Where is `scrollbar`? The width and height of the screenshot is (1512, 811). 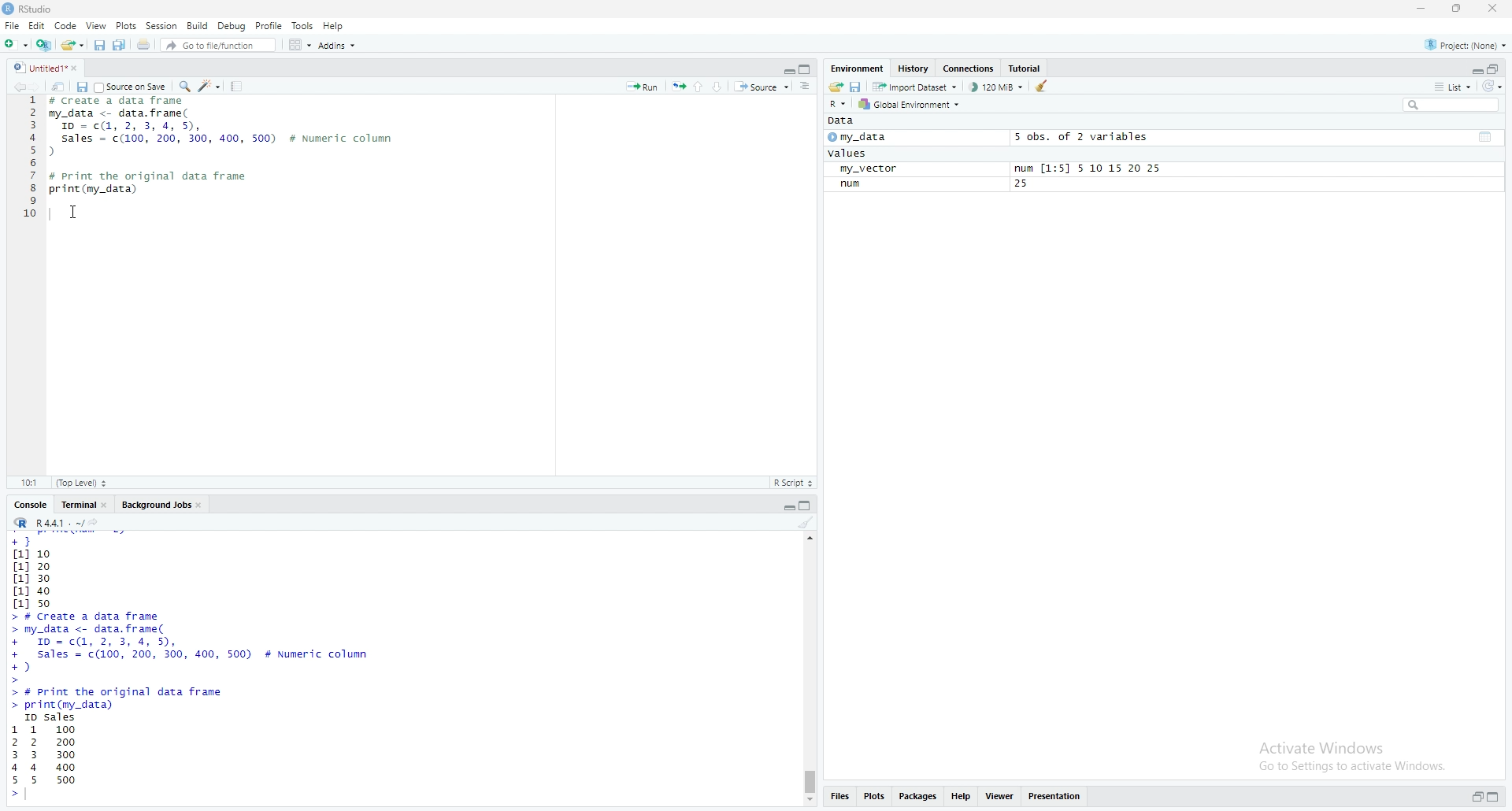
scrollbar is located at coordinates (812, 676).